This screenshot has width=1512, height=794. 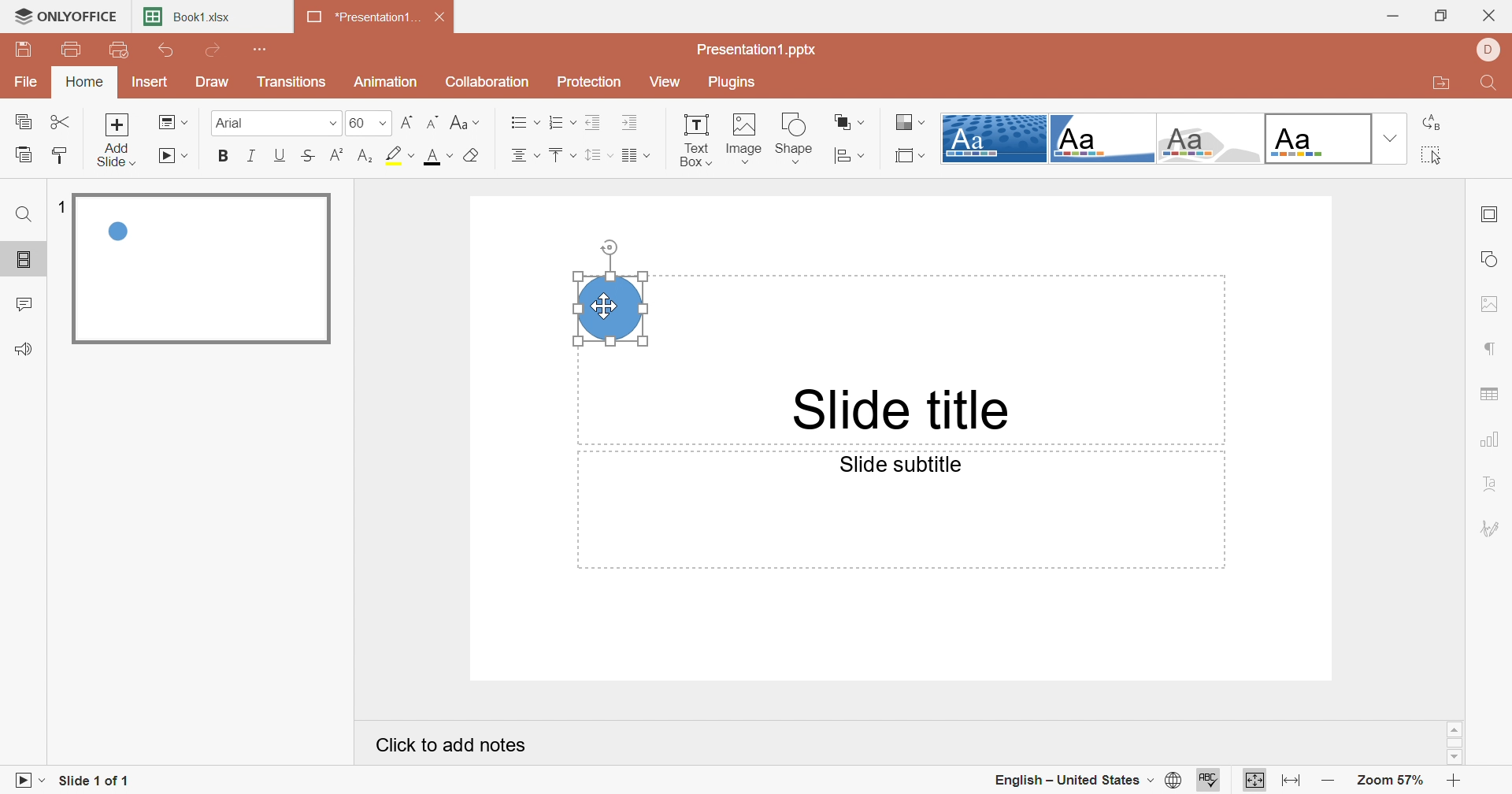 I want to click on Vertical align, so click(x=561, y=155).